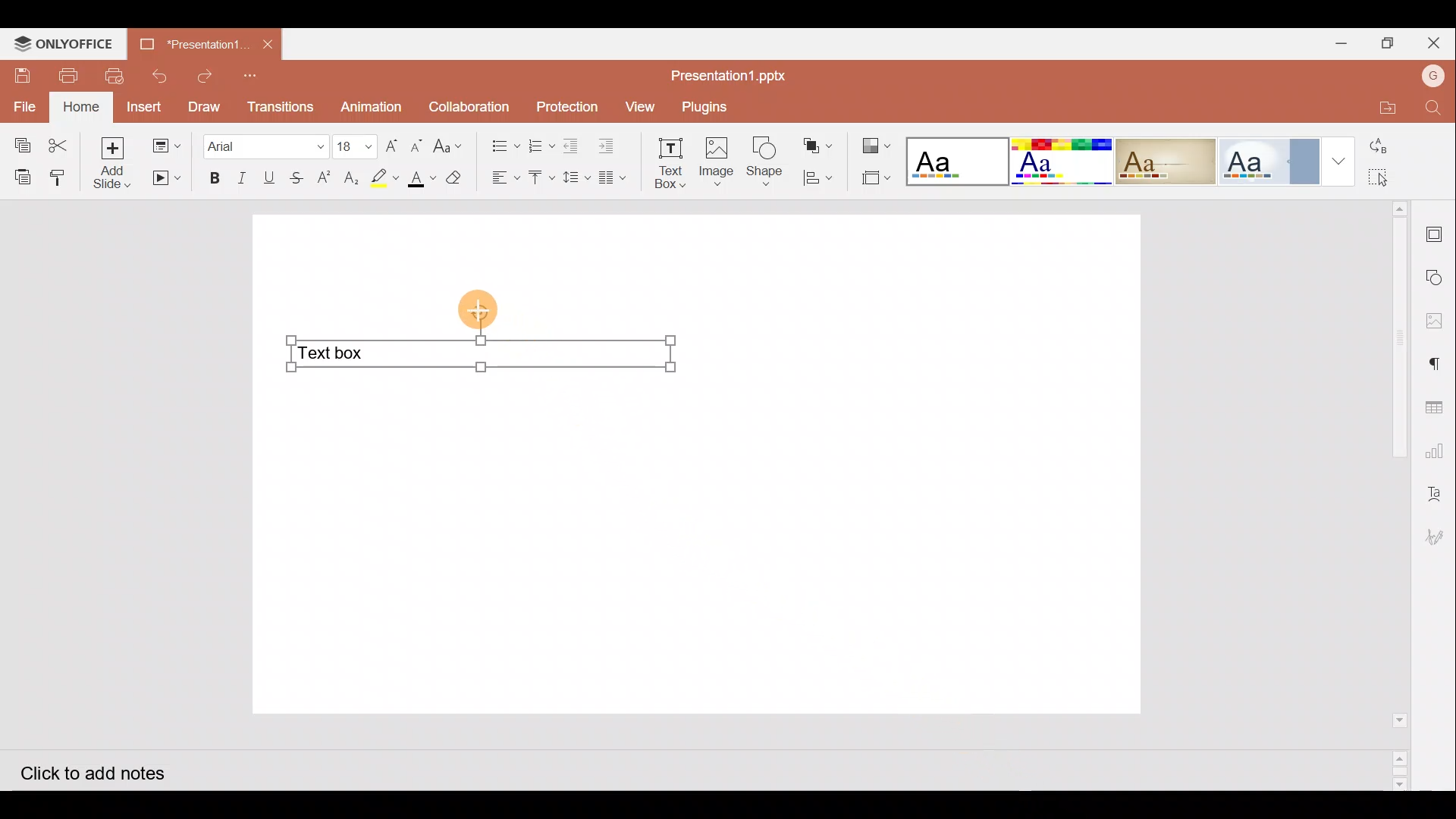  Describe the element at coordinates (241, 178) in the screenshot. I see `Italic` at that location.